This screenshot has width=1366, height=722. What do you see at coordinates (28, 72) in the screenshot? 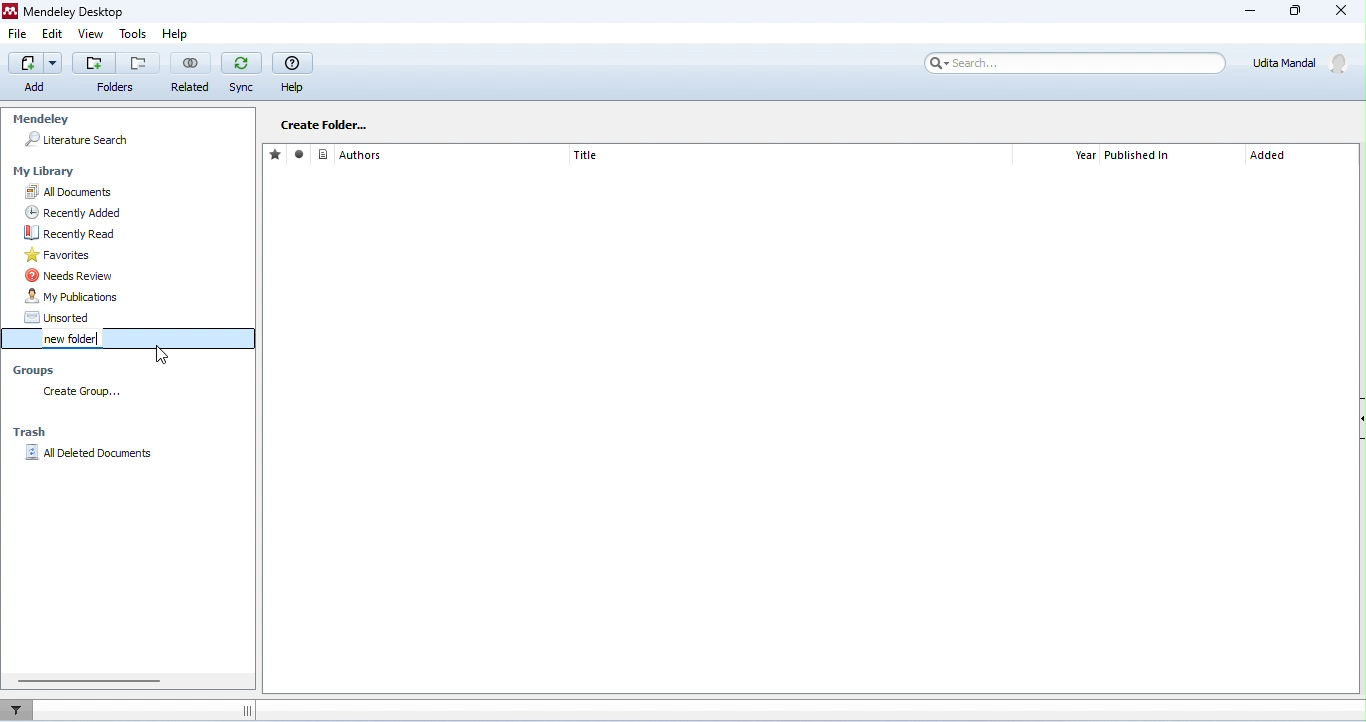
I see `add` at bounding box center [28, 72].